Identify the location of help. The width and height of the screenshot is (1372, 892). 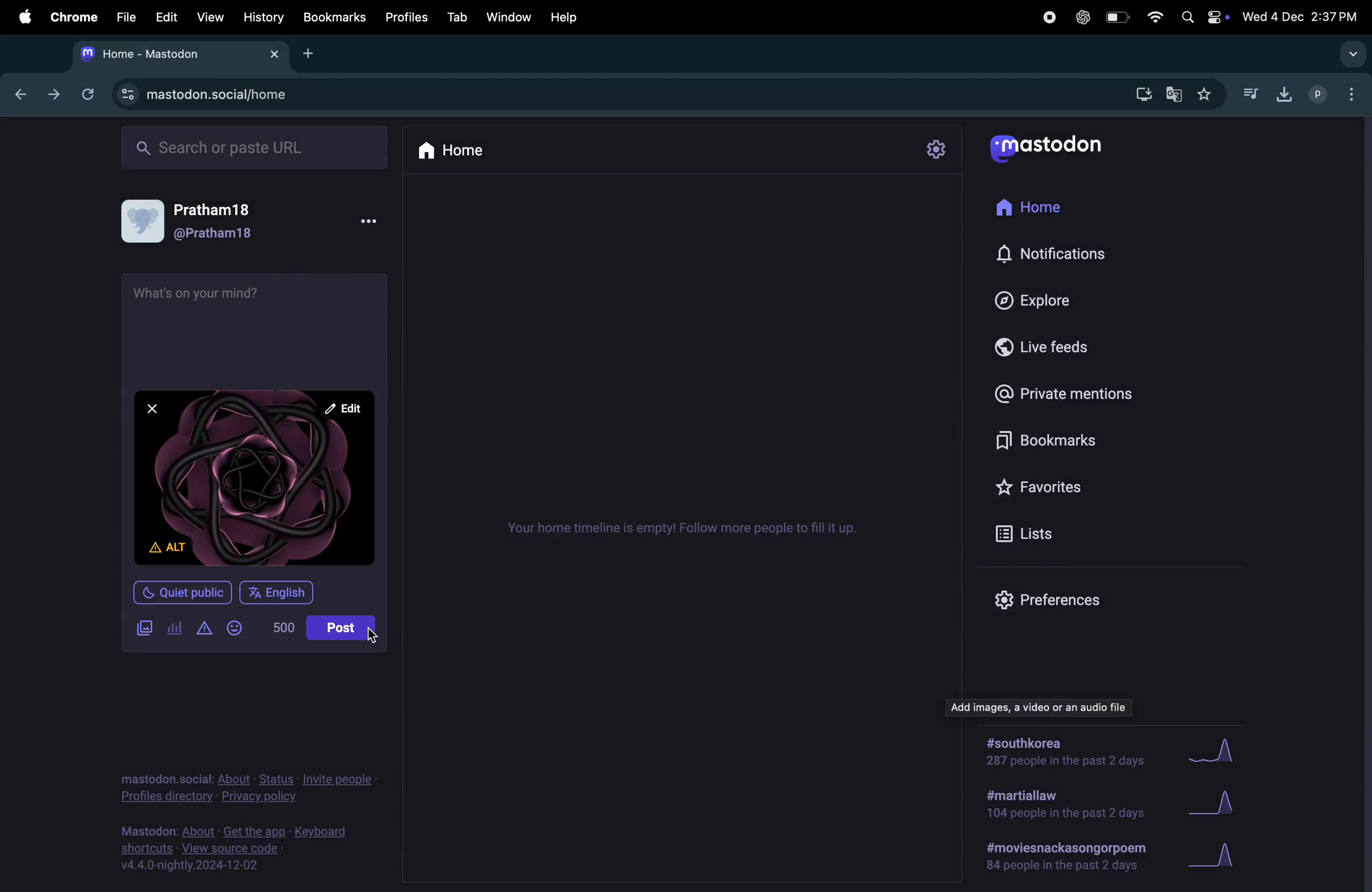
(563, 17).